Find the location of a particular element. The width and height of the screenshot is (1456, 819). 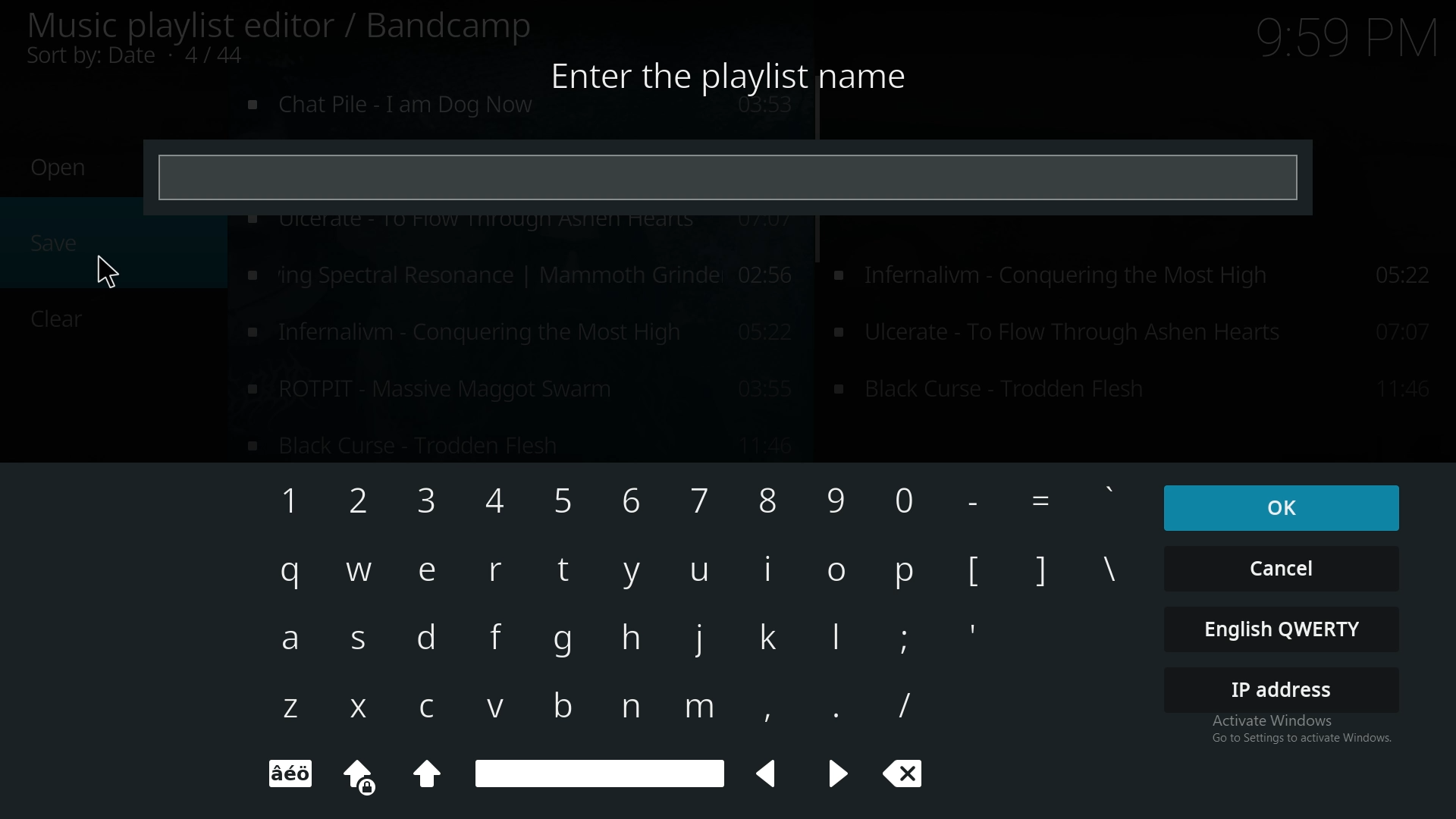

9:58 PM is located at coordinates (1341, 42).